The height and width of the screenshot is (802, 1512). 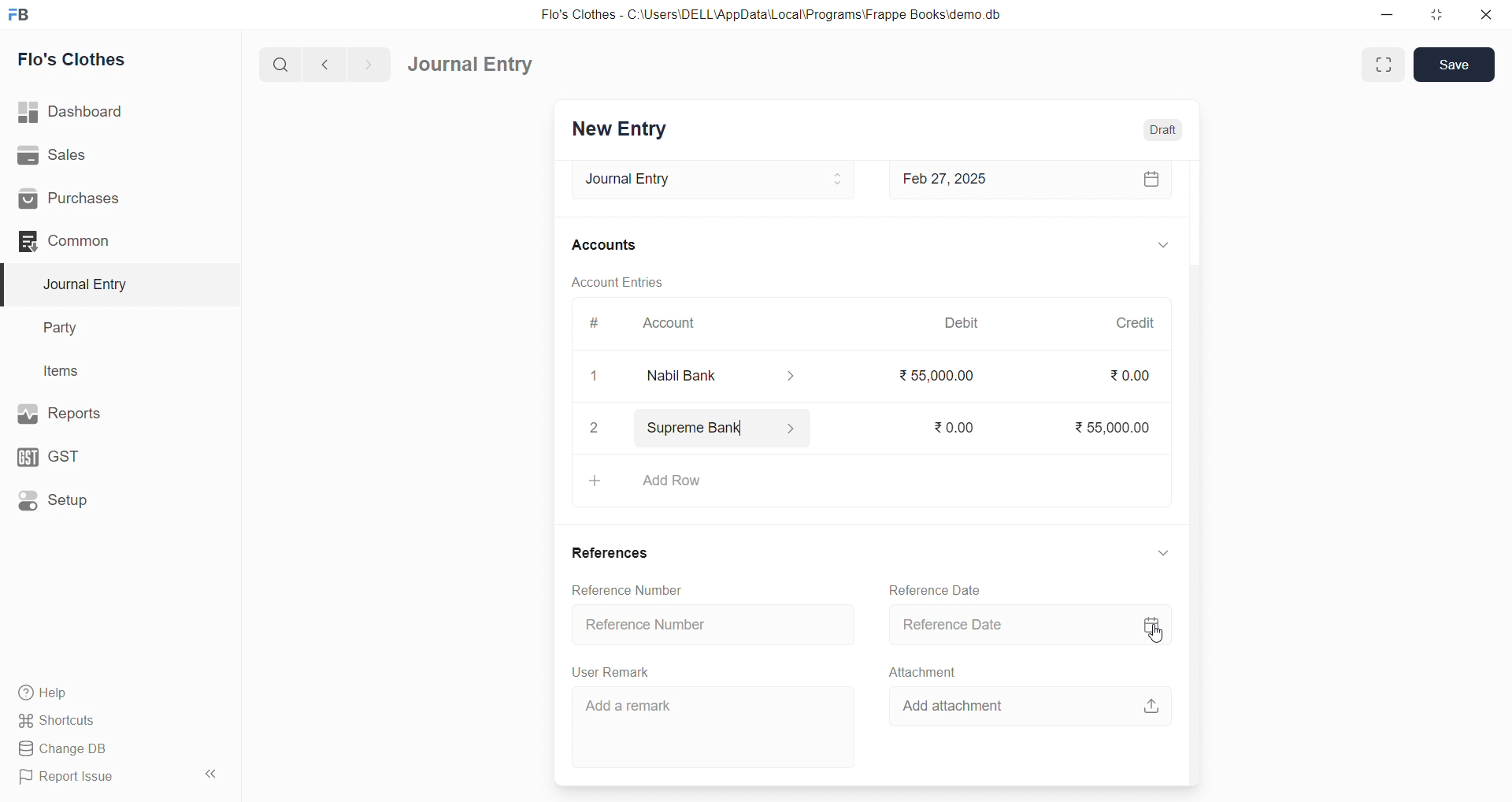 I want to click on Change DB, so click(x=98, y=748).